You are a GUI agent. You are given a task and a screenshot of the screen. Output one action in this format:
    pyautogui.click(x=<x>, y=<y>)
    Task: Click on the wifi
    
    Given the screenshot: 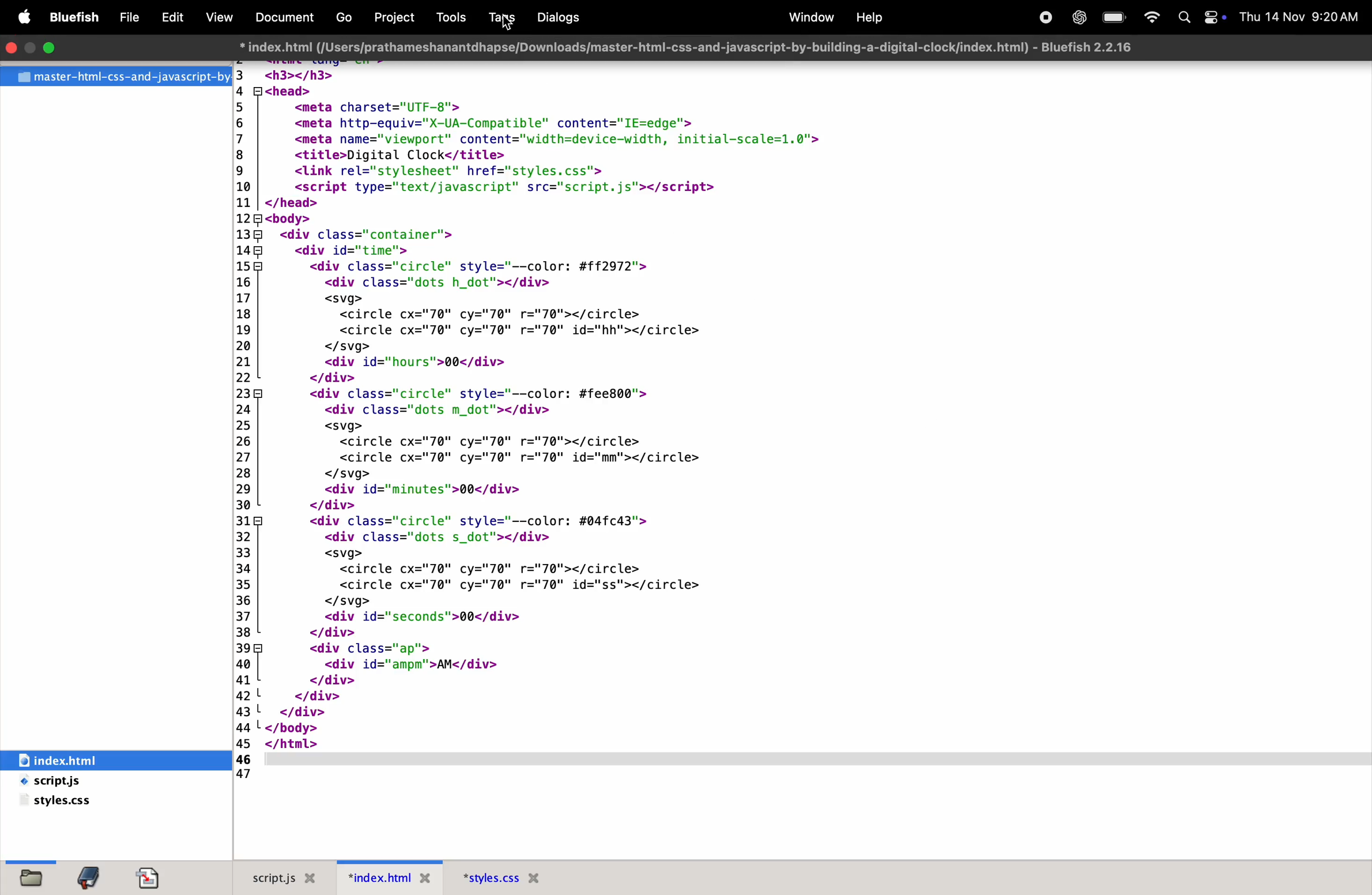 What is the action you would take?
    pyautogui.click(x=1151, y=18)
    